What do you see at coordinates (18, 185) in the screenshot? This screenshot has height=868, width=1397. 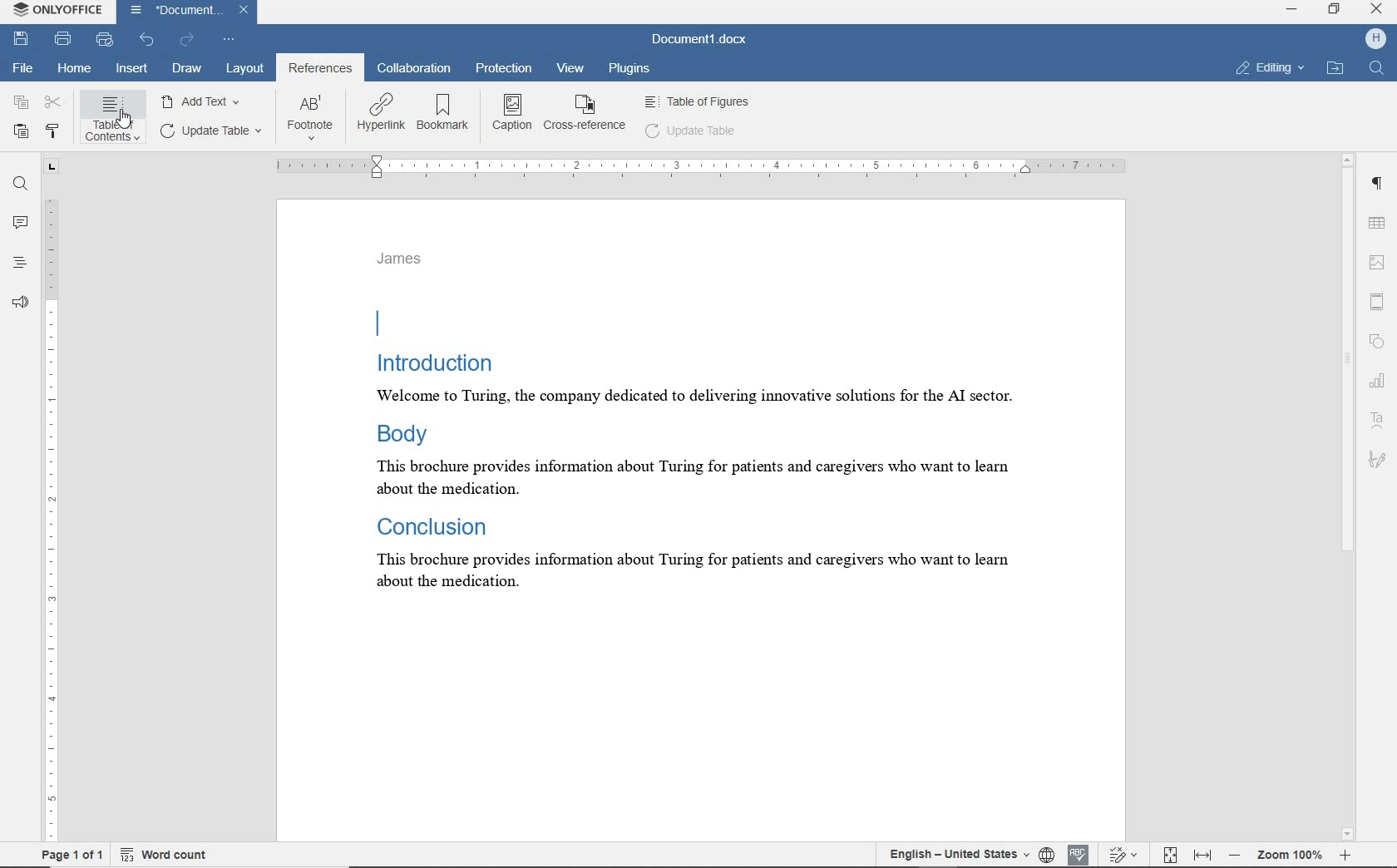 I see `find` at bounding box center [18, 185].